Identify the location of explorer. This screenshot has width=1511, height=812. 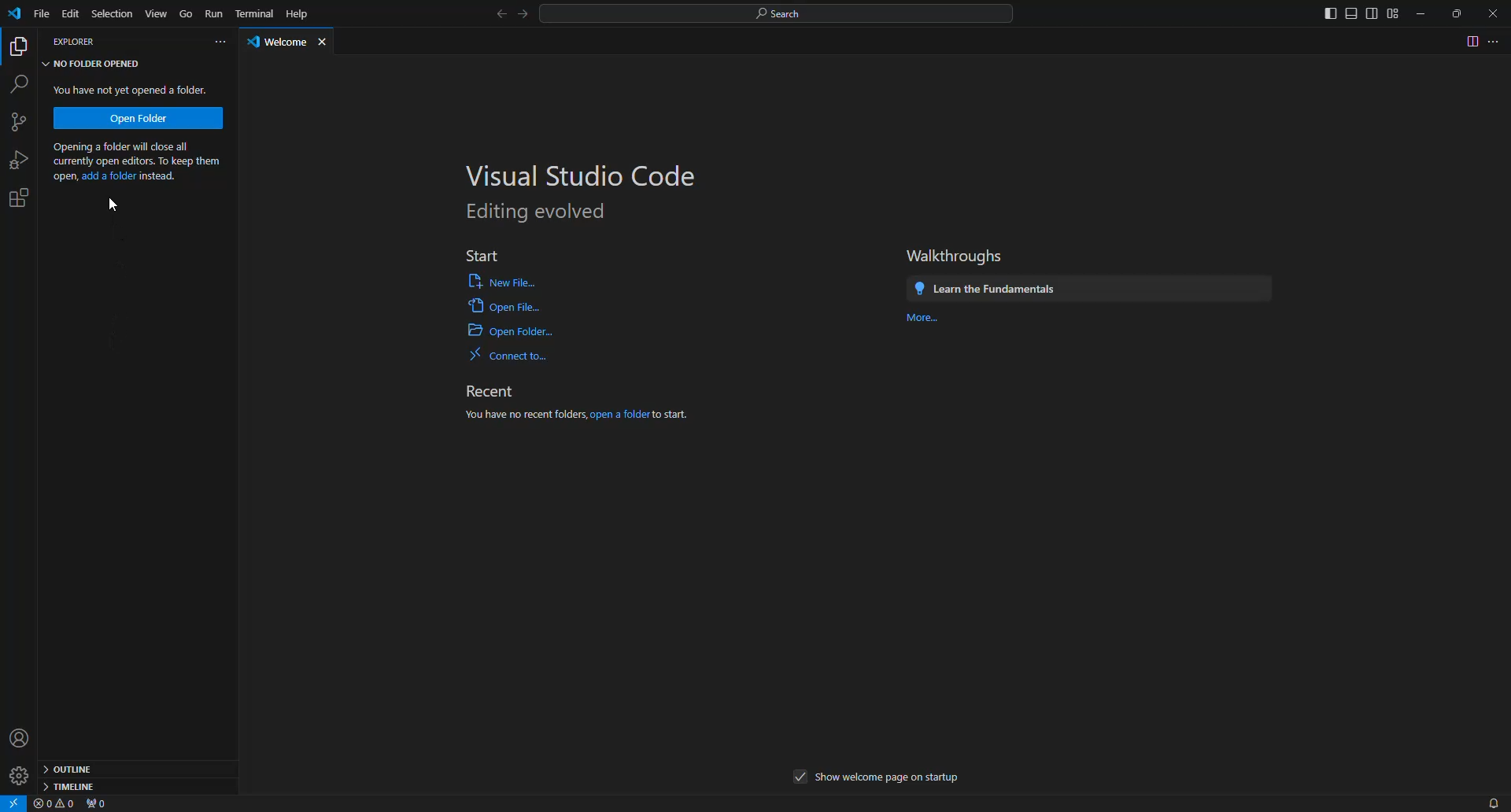
(76, 43).